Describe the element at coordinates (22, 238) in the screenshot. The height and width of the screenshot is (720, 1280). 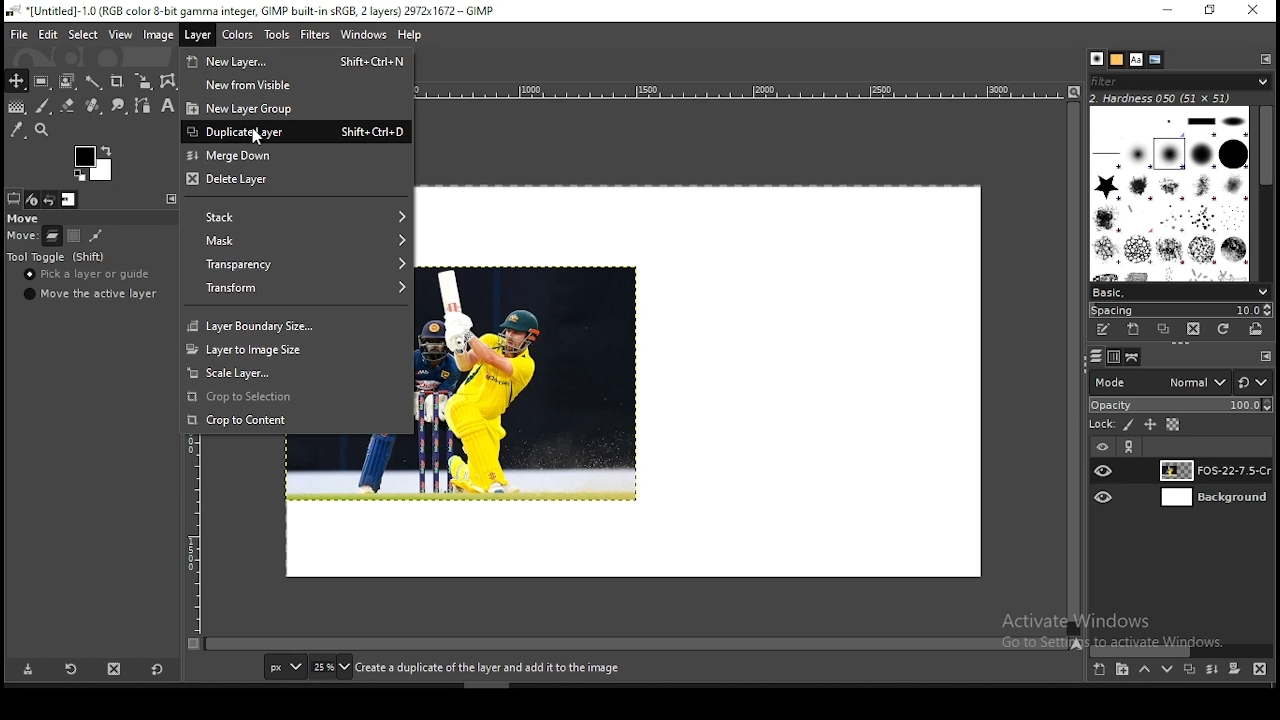
I see `move` at that location.